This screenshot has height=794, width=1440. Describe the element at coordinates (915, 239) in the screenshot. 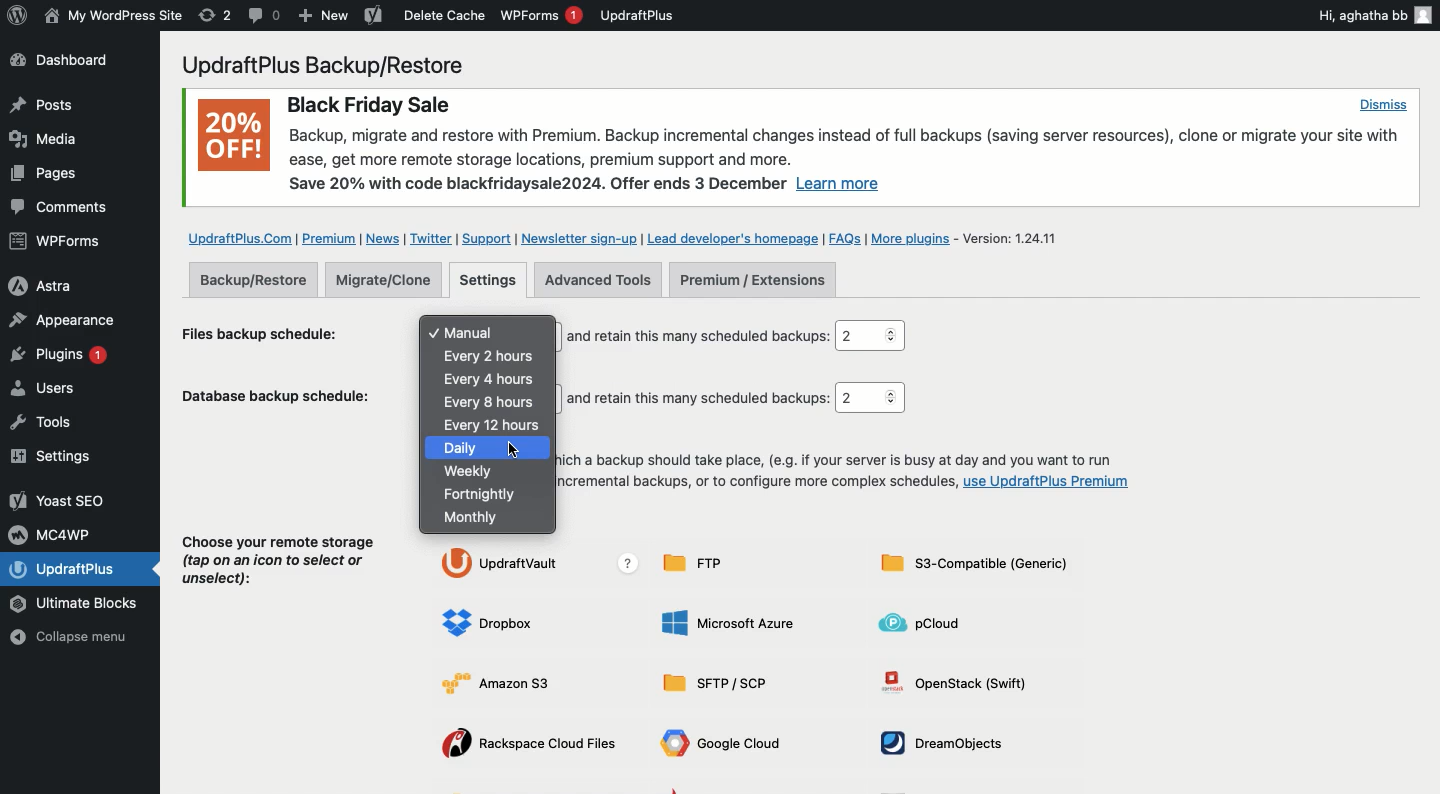

I see `More plugins` at that location.